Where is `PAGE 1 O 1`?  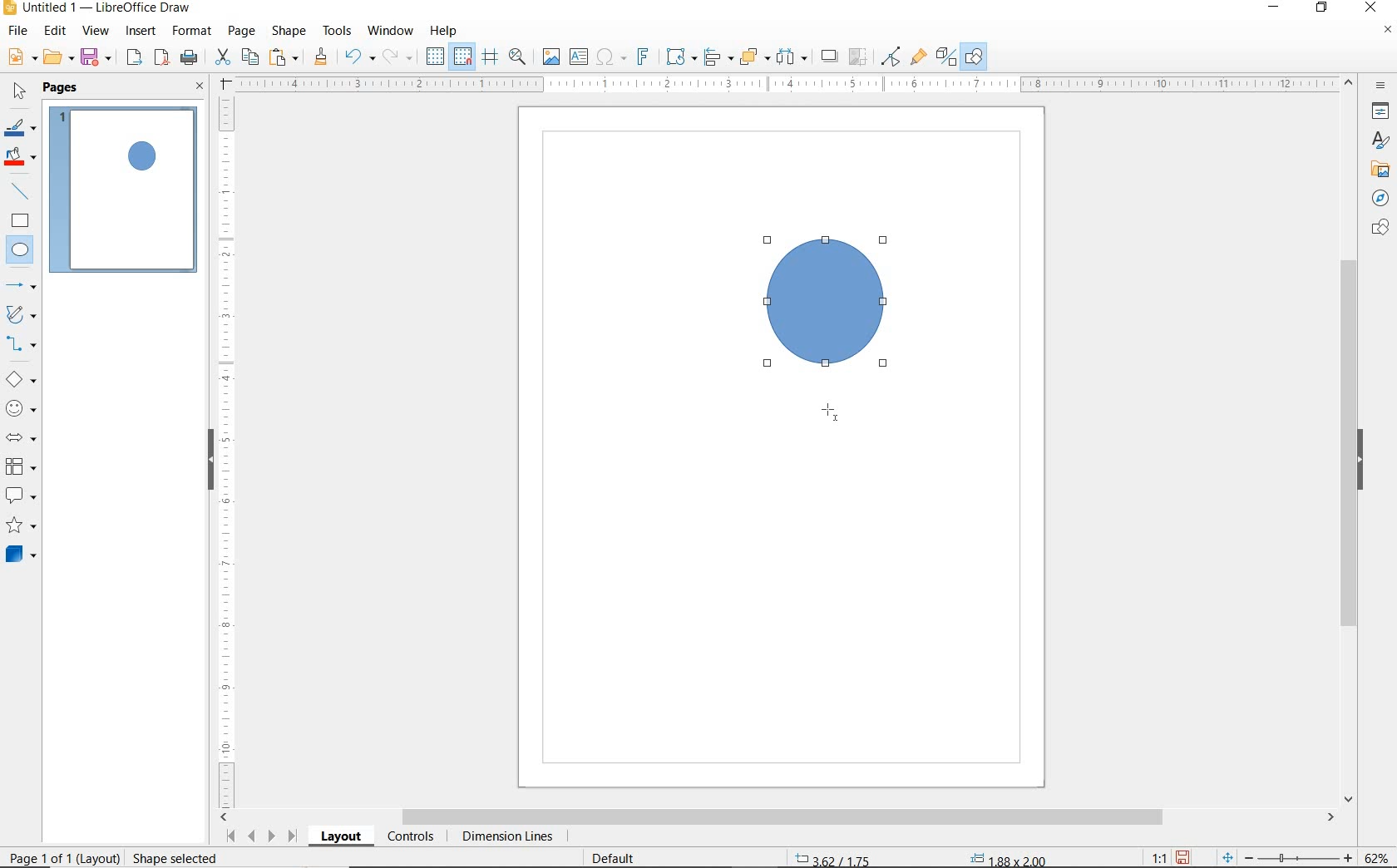
PAGE 1 O 1 is located at coordinates (54, 851).